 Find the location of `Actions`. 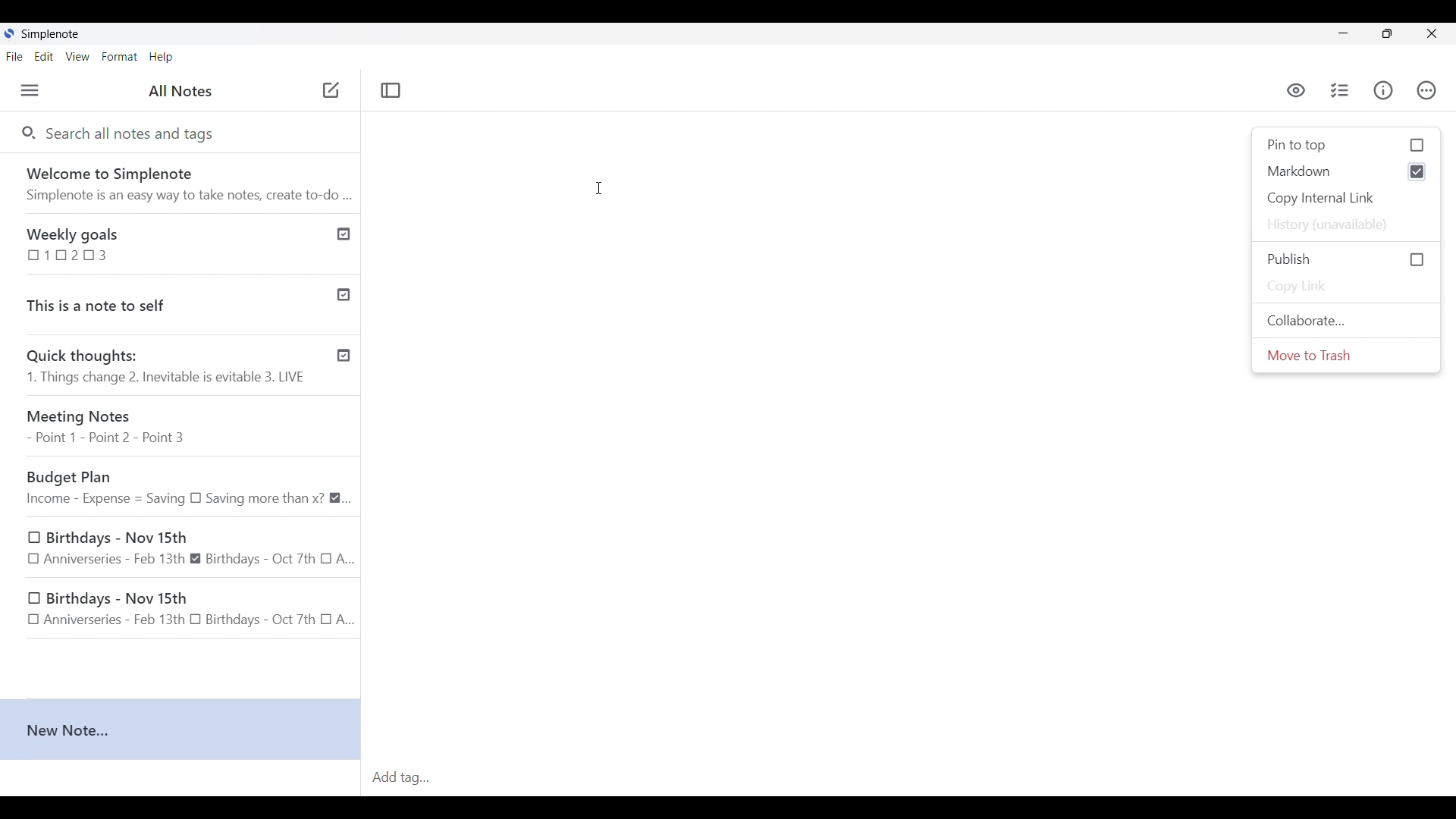

Actions is located at coordinates (1427, 89).